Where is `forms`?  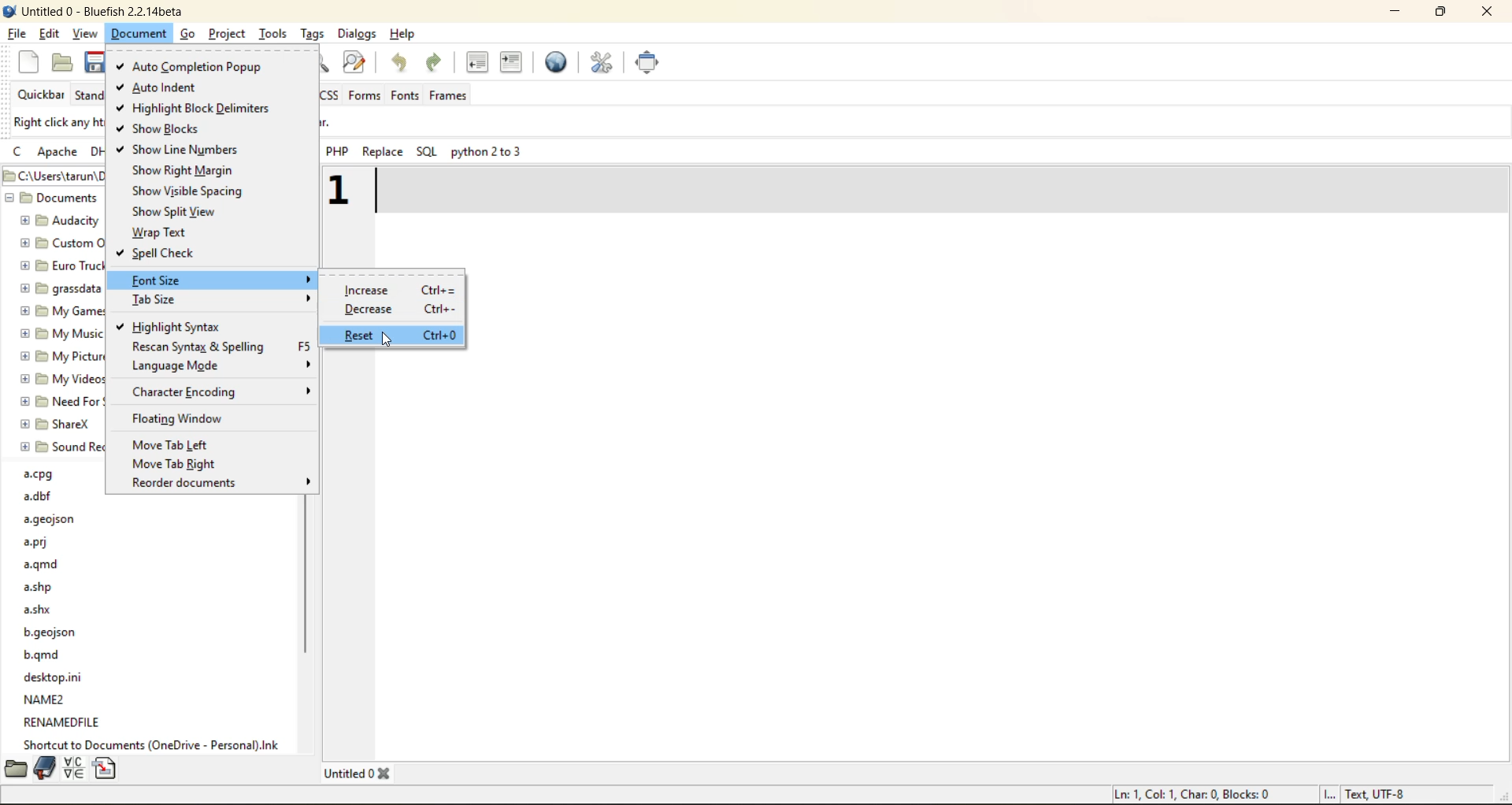 forms is located at coordinates (365, 96).